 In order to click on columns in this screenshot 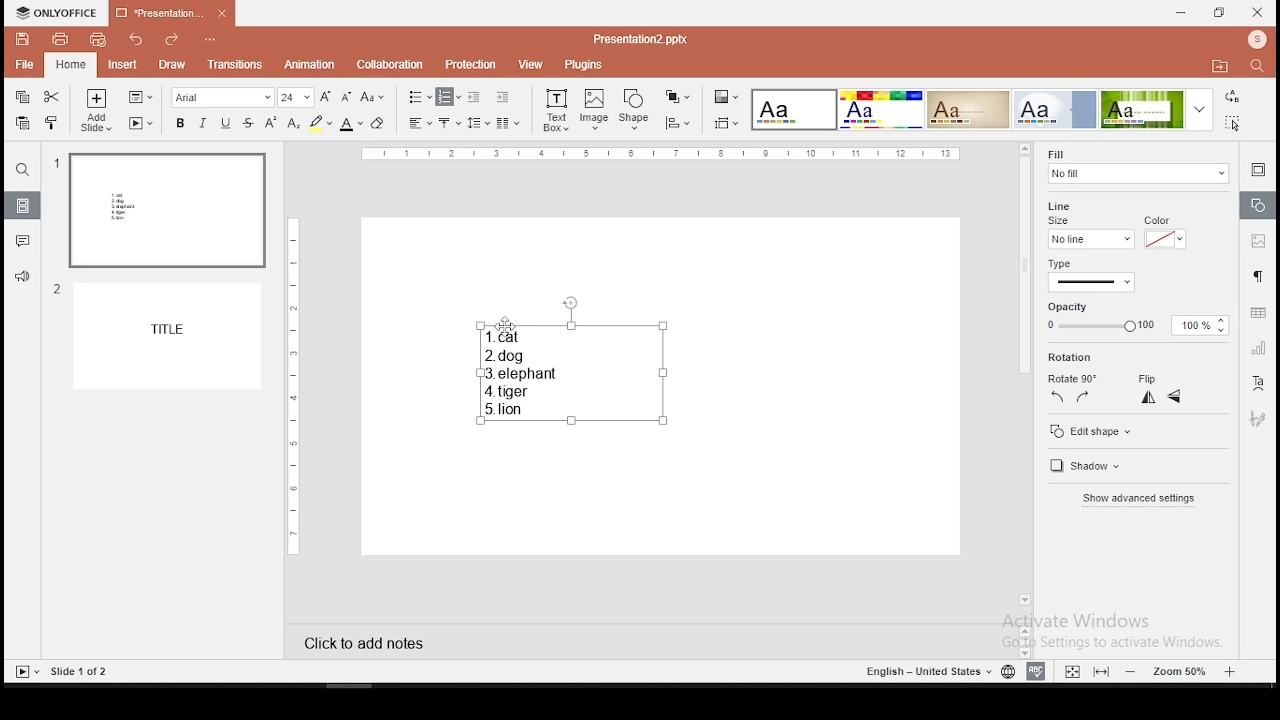, I will do `click(508, 122)`.